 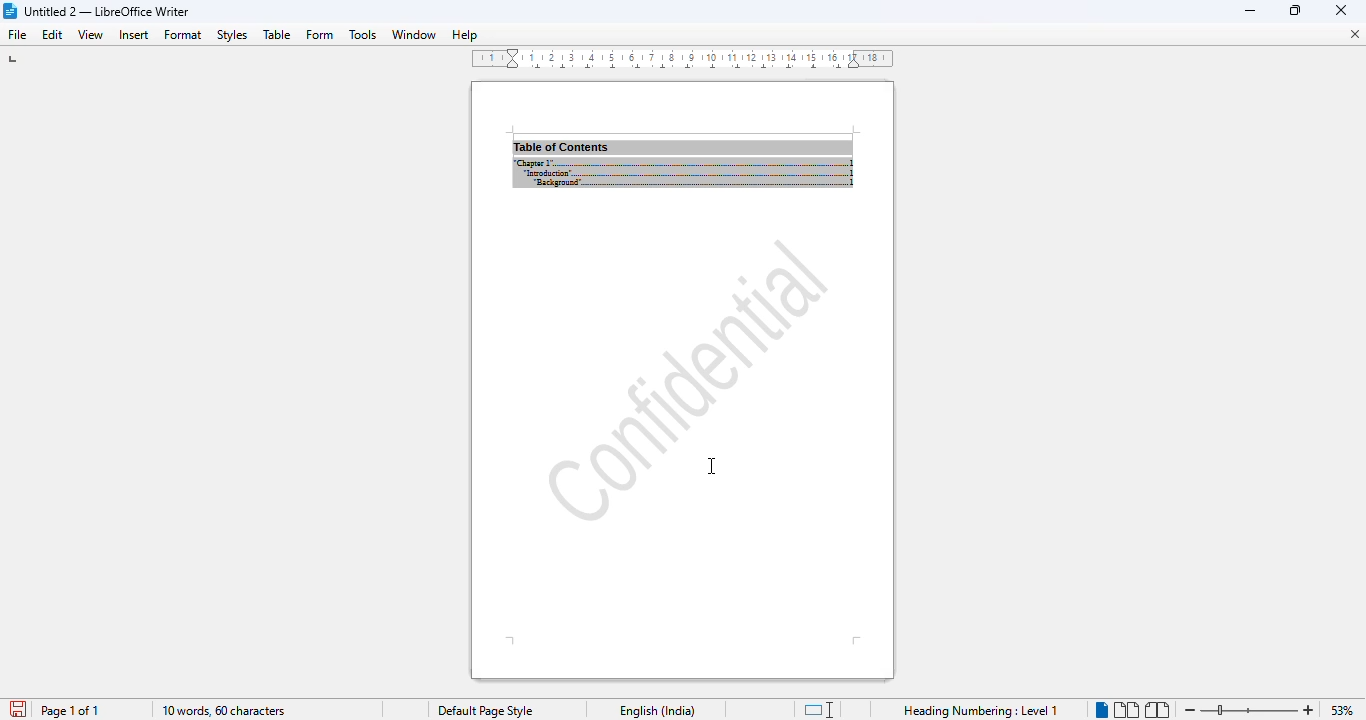 I want to click on logo, so click(x=10, y=11).